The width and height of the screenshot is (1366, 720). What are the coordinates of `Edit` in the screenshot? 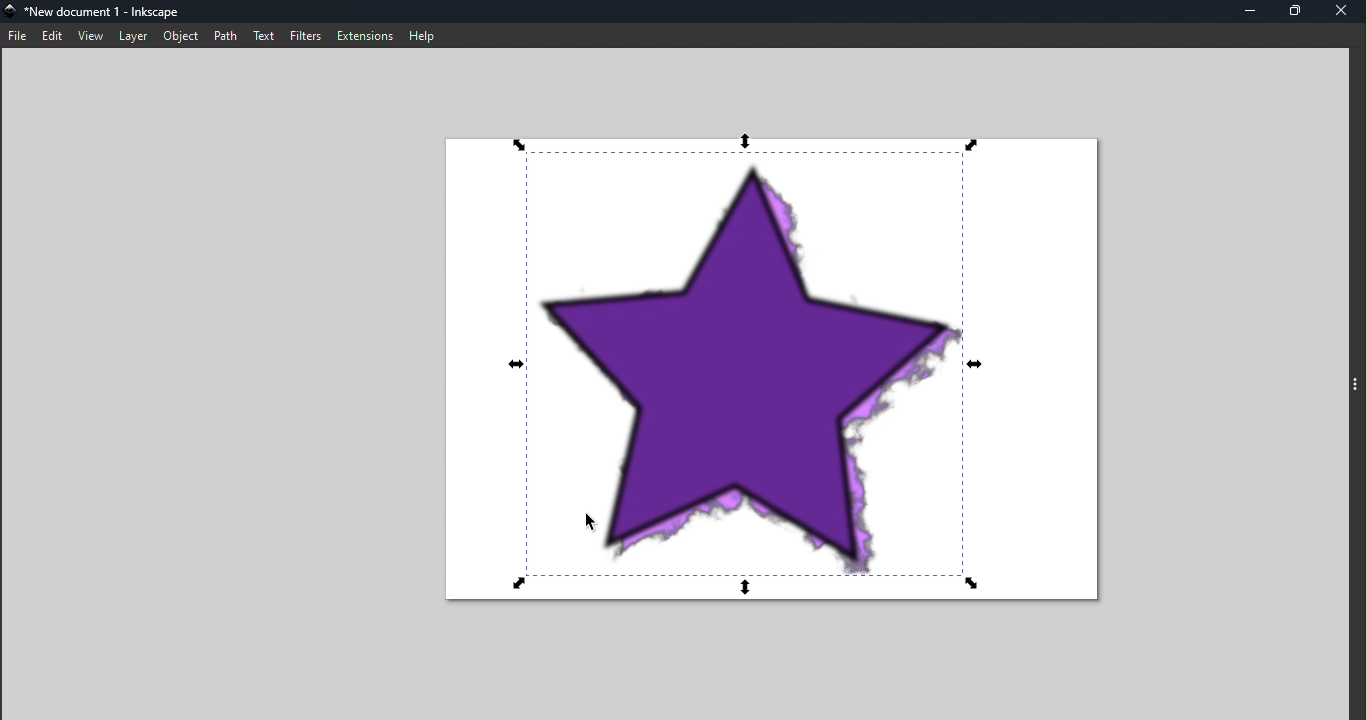 It's located at (52, 35).